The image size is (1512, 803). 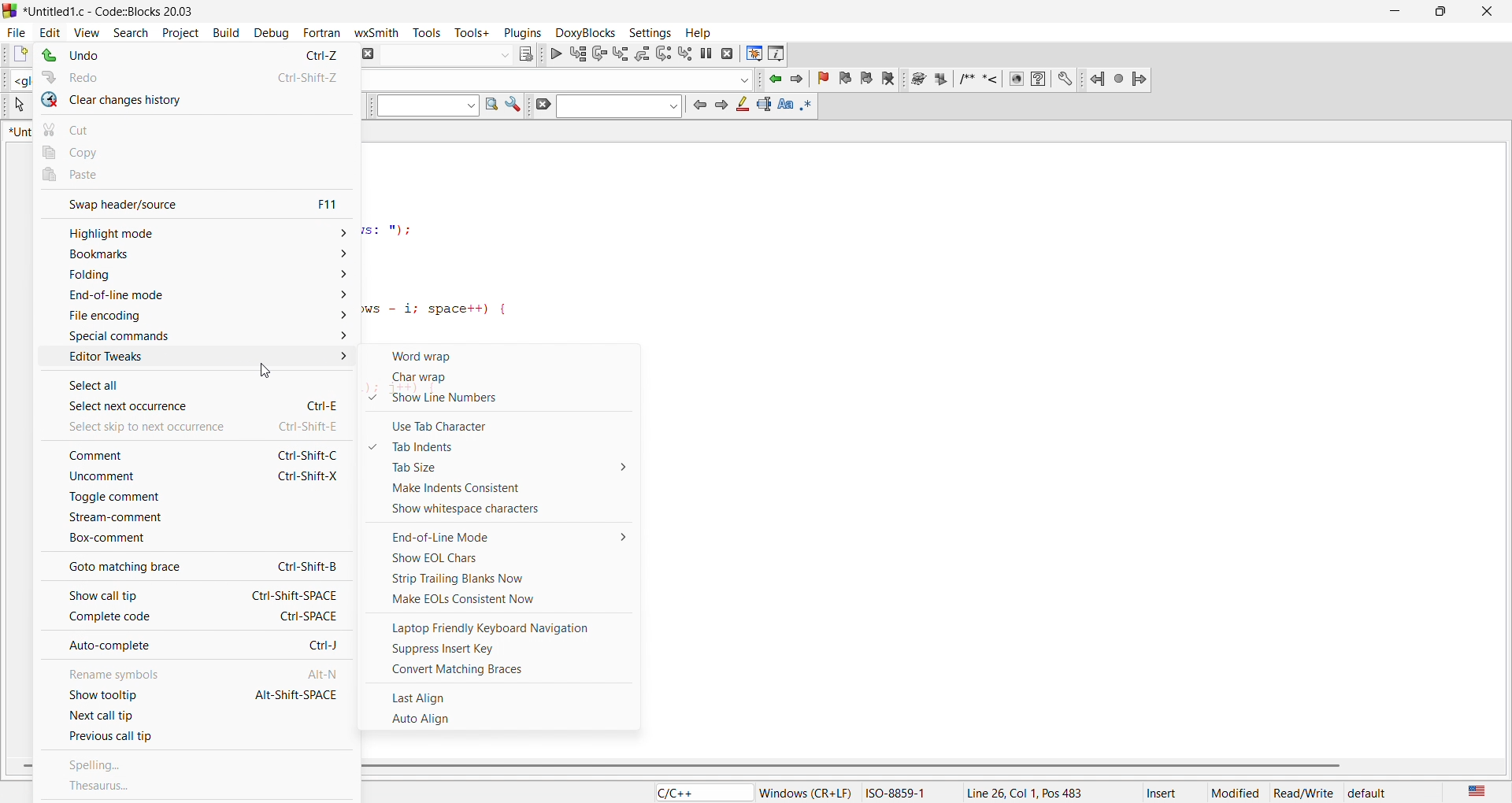 What do you see at coordinates (508, 357) in the screenshot?
I see `word wrap` at bounding box center [508, 357].